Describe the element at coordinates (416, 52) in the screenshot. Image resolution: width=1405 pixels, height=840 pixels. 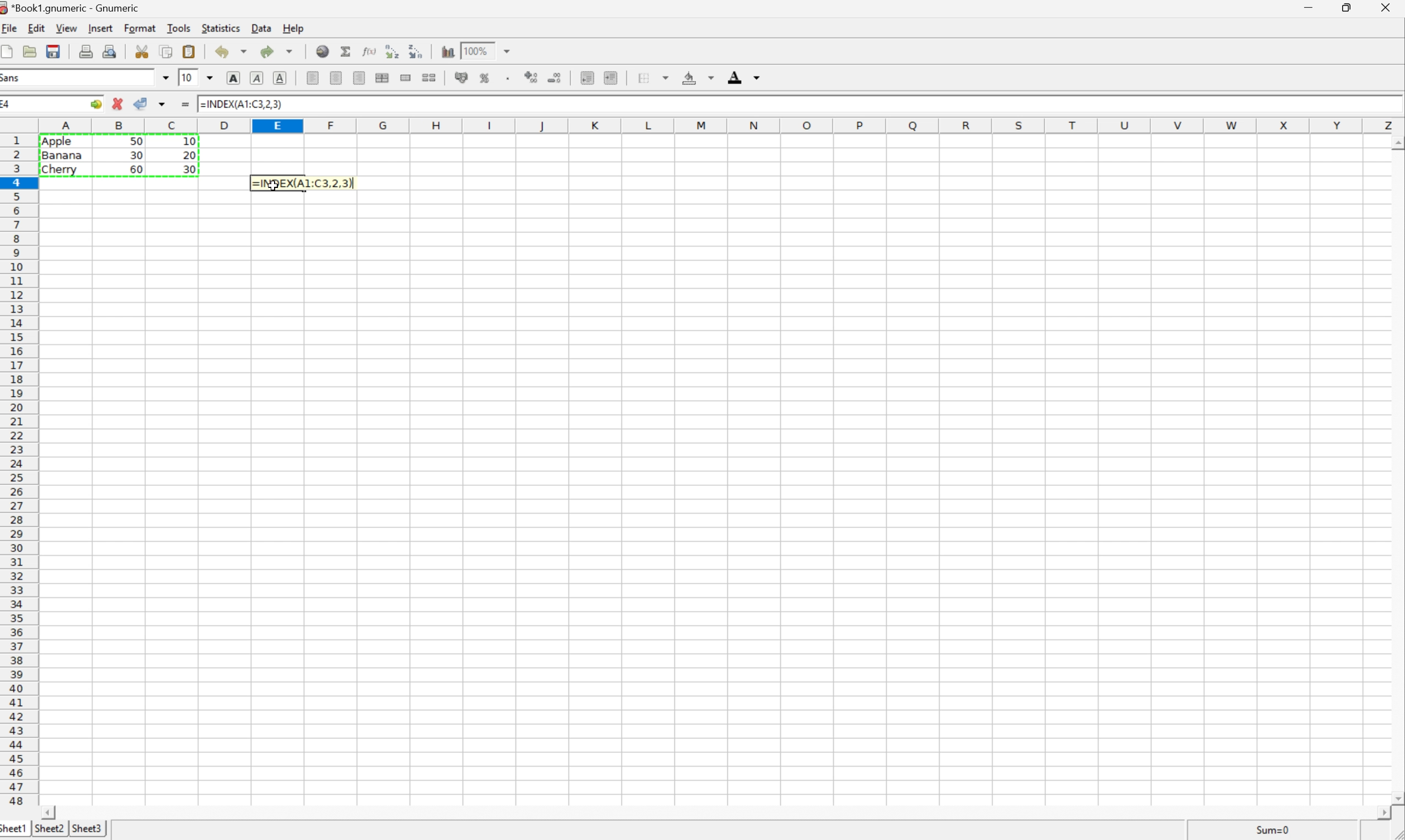
I see `Sort the selected region in descending order based on the first column selected` at that location.